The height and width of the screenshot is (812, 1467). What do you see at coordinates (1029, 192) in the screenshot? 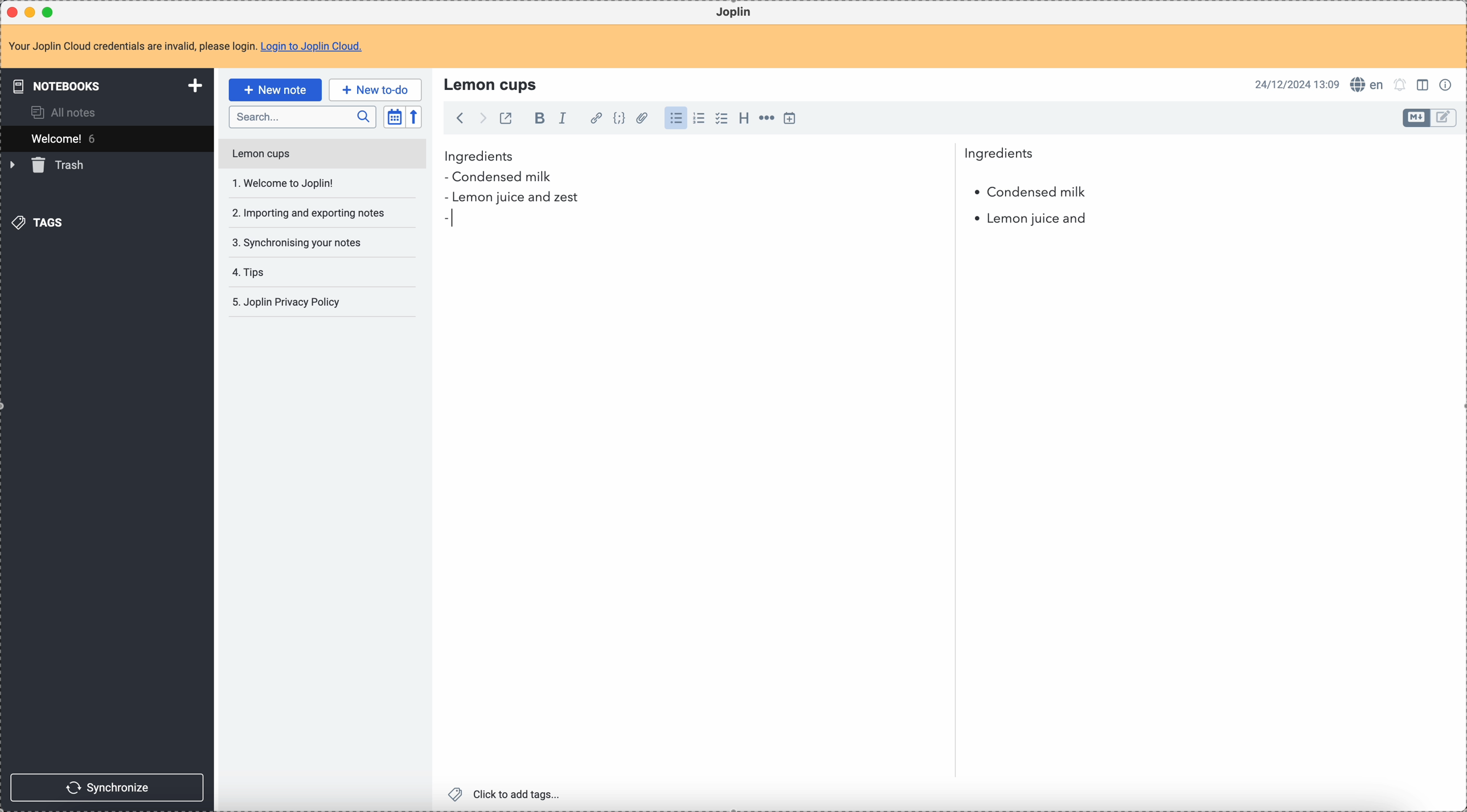
I see `condensed milk` at bounding box center [1029, 192].